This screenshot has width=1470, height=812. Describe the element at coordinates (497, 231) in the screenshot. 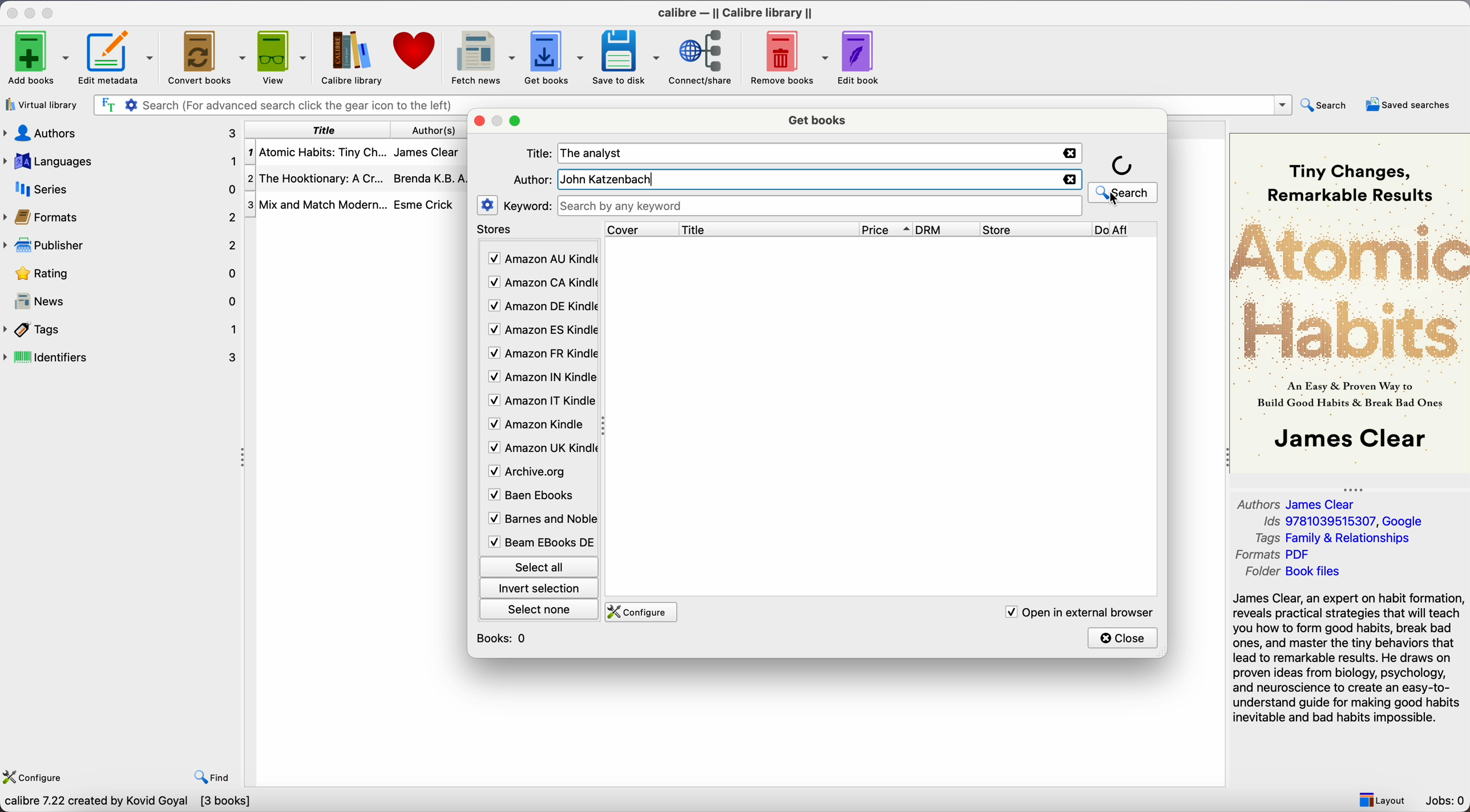

I see `stores` at that location.